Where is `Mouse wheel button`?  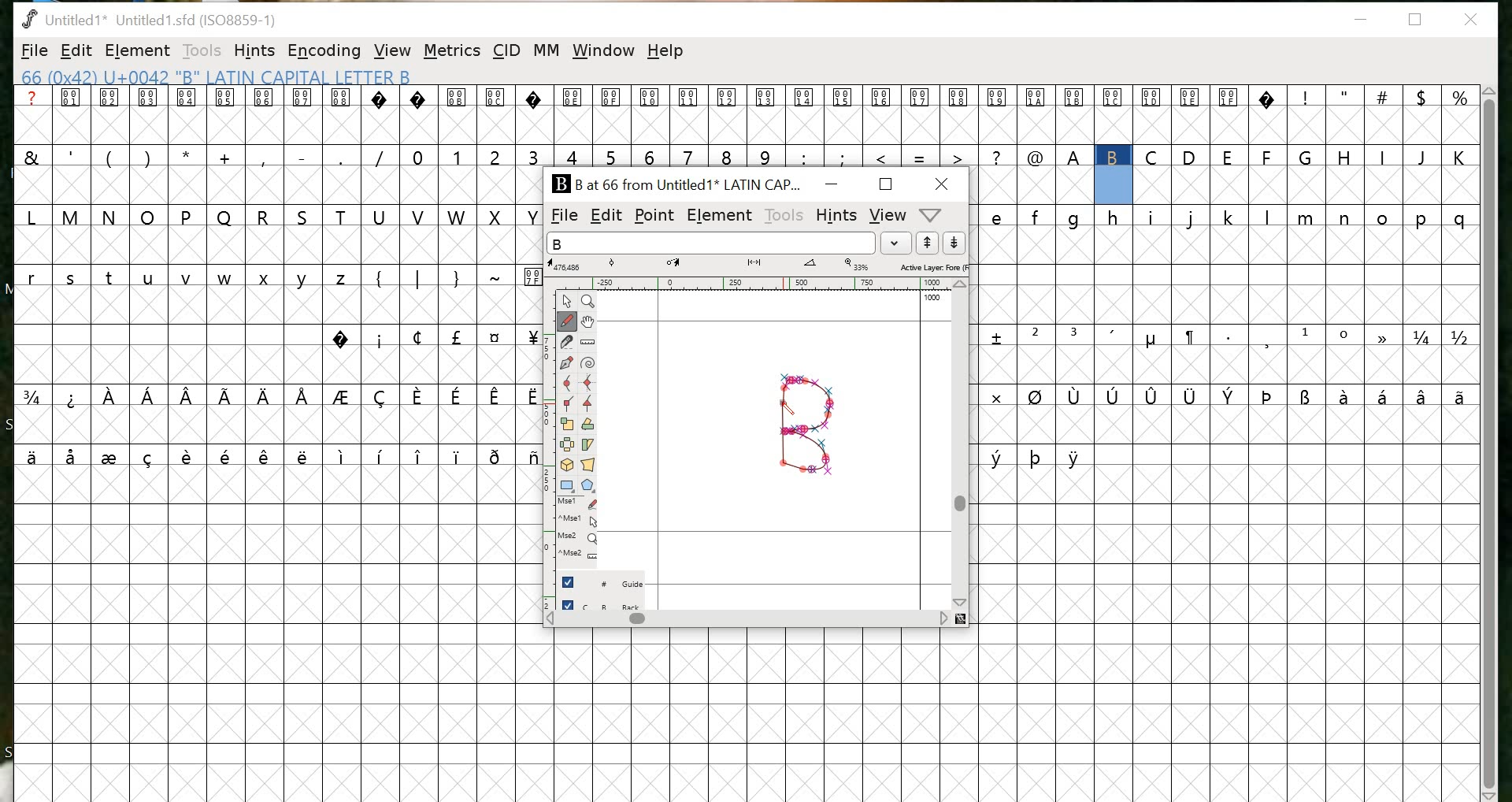 Mouse wheel button is located at coordinates (580, 539).